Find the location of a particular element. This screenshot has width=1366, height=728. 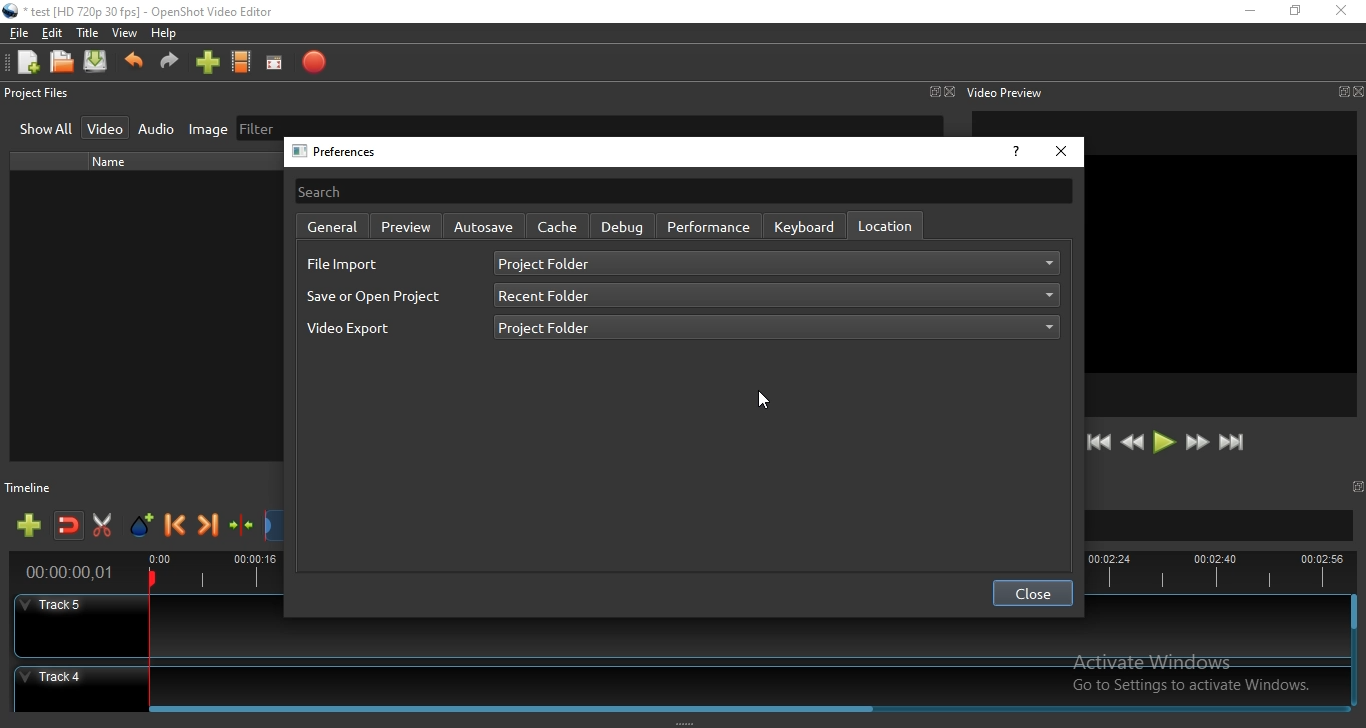

location is located at coordinates (884, 225).